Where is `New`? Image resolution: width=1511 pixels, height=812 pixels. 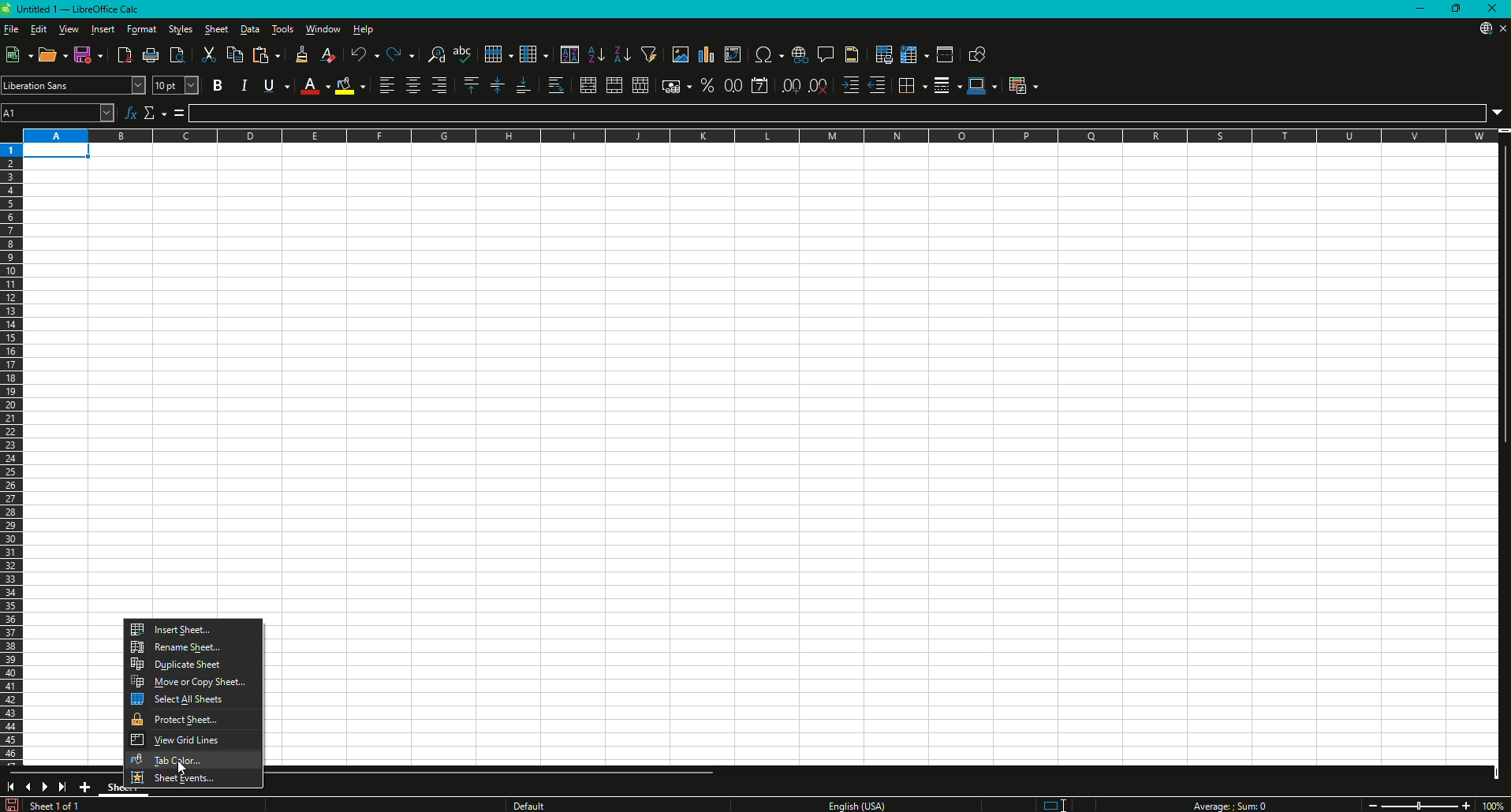 New is located at coordinates (18, 54).